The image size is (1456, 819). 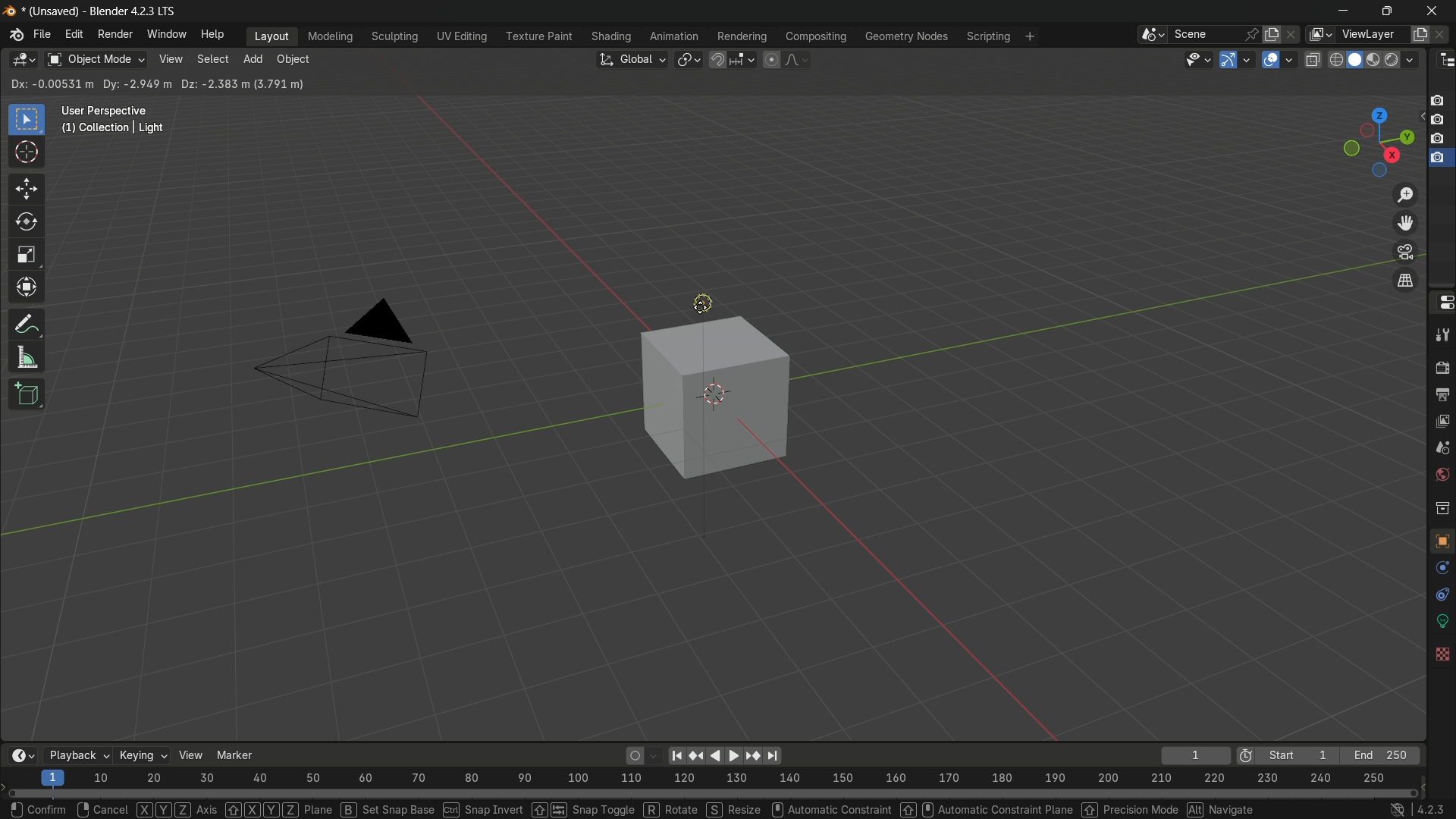 I want to click on add, so click(x=254, y=59).